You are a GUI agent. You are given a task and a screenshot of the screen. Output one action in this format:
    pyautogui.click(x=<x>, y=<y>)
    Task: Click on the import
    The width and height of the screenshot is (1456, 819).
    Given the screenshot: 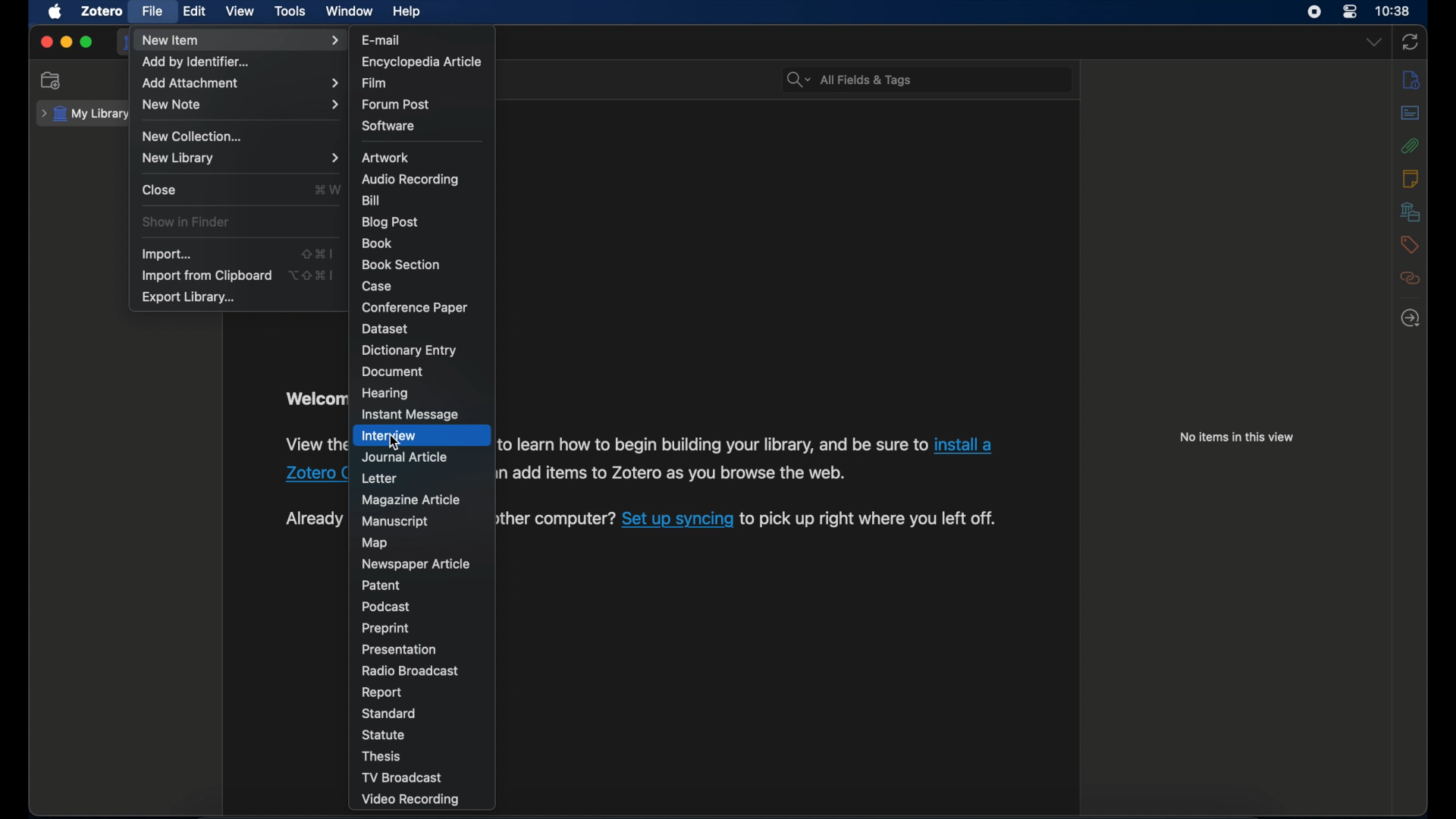 What is the action you would take?
    pyautogui.click(x=167, y=254)
    